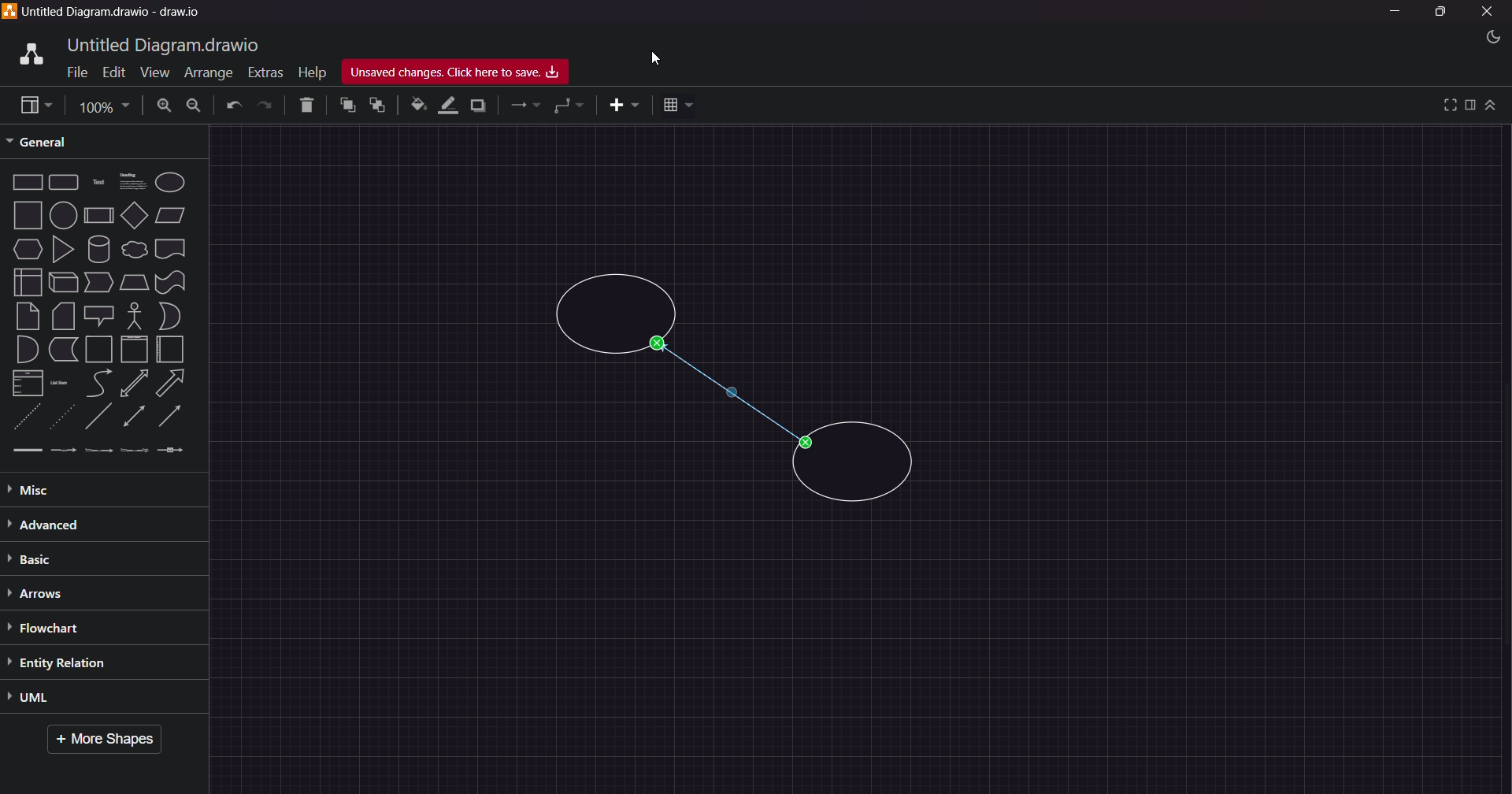  I want to click on to front, so click(346, 106).